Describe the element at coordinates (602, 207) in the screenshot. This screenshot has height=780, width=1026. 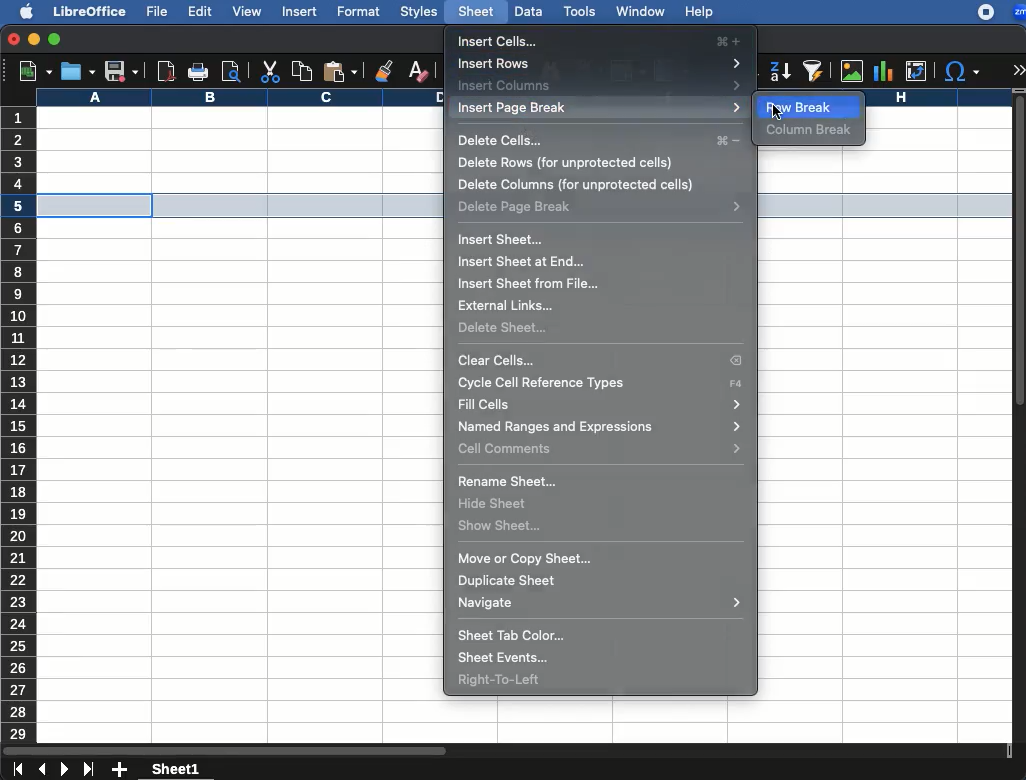
I see `delete page break` at that location.